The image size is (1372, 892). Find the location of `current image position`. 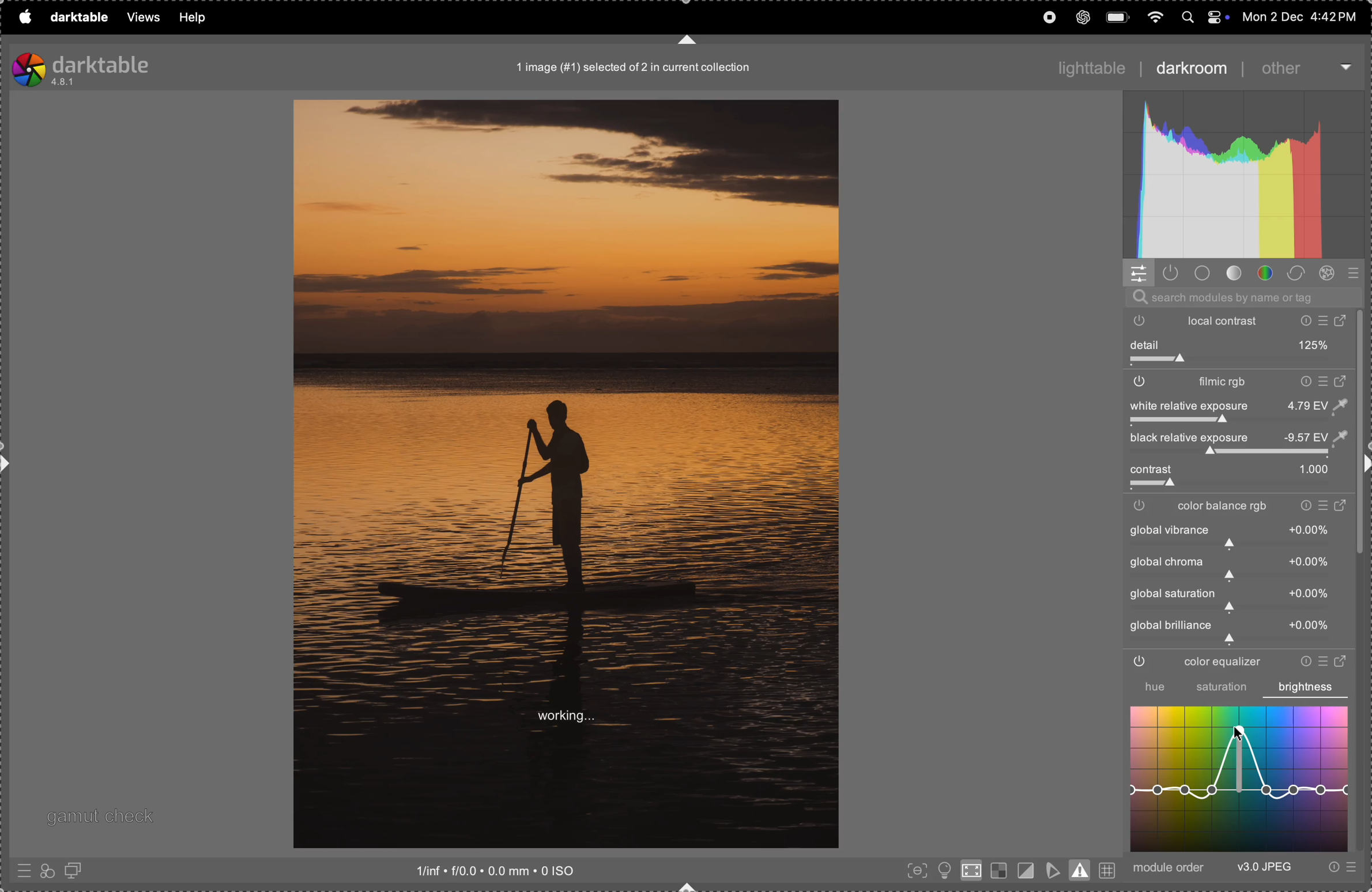

current image position is located at coordinates (636, 69).